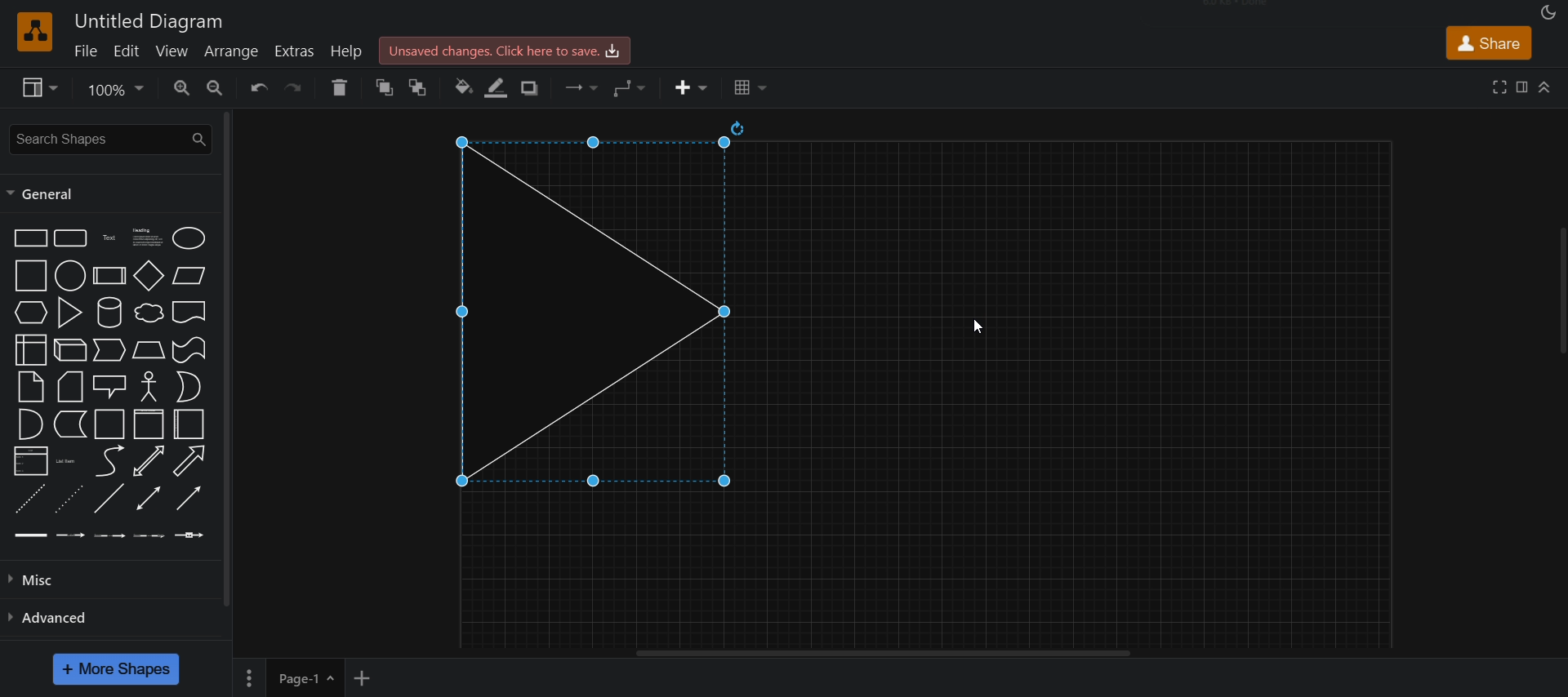 This screenshot has height=697, width=1568. Describe the element at coordinates (638, 313) in the screenshot. I see `triangle` at that location.